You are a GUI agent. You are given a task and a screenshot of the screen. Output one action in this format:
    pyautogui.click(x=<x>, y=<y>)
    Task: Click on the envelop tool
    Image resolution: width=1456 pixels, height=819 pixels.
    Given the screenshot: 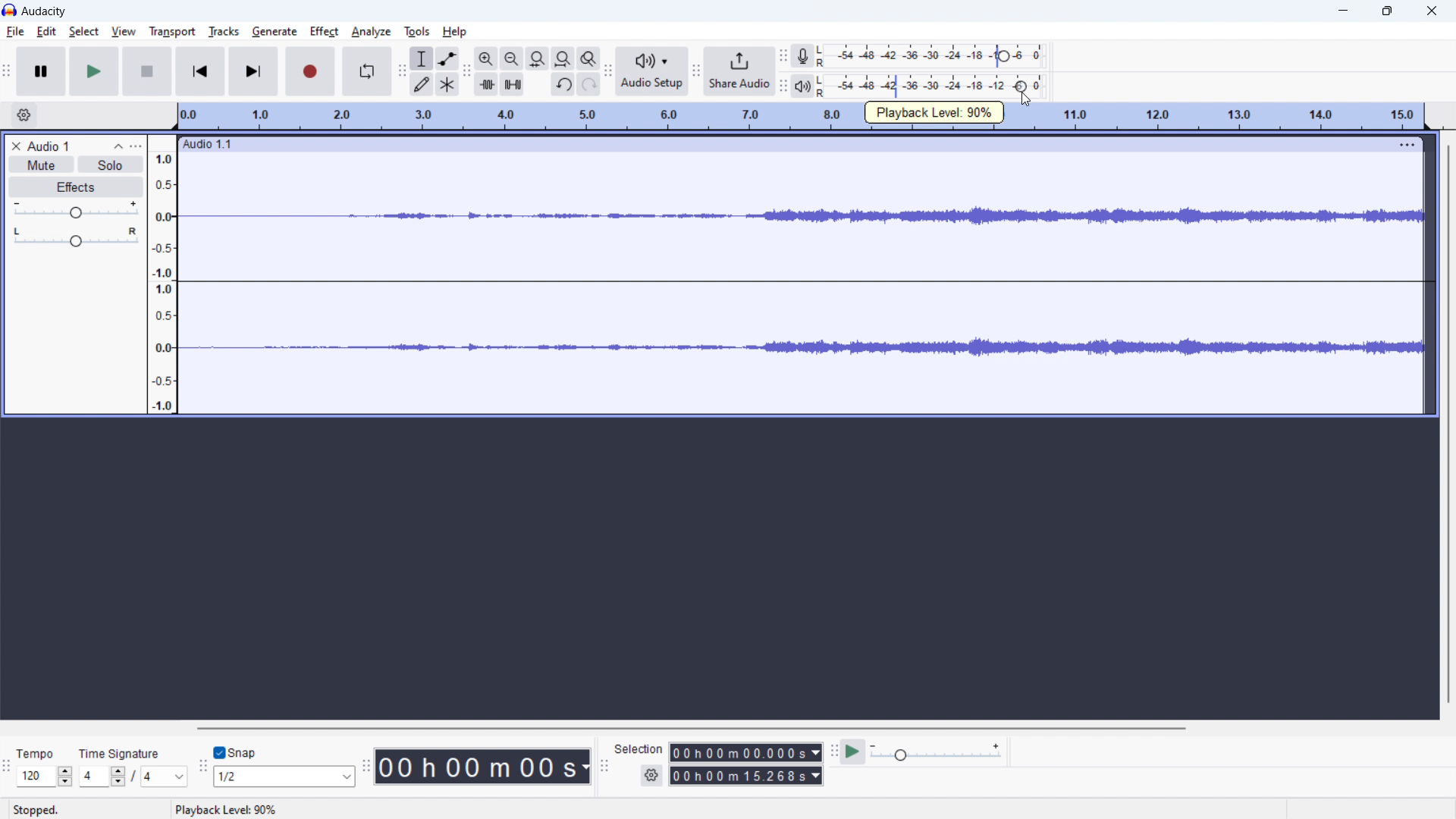 What is the action you would take?
    pyautogui.click(x=447, y=58)
    